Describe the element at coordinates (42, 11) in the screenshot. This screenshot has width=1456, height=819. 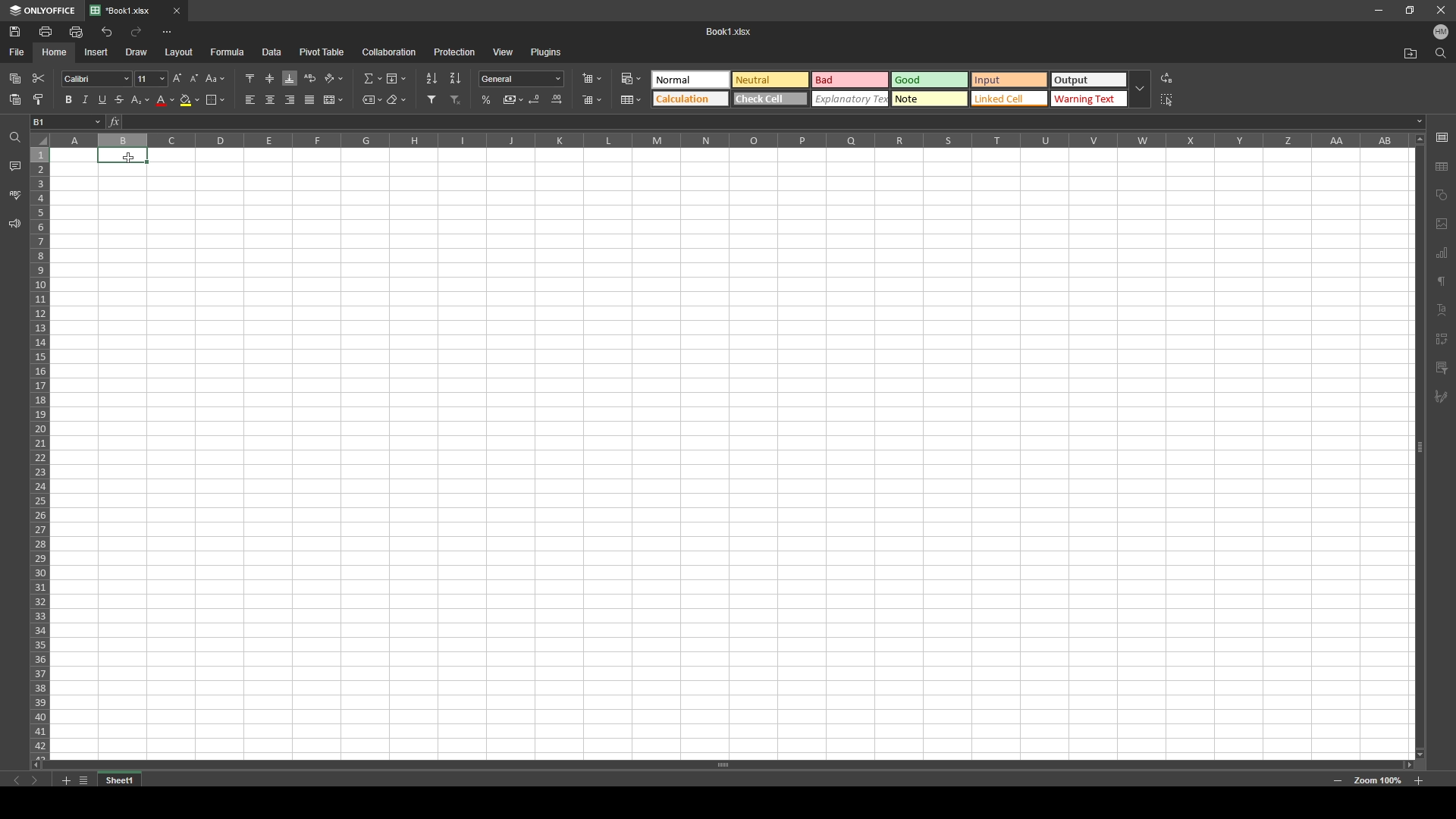
I see `onlyoffice` at that location.